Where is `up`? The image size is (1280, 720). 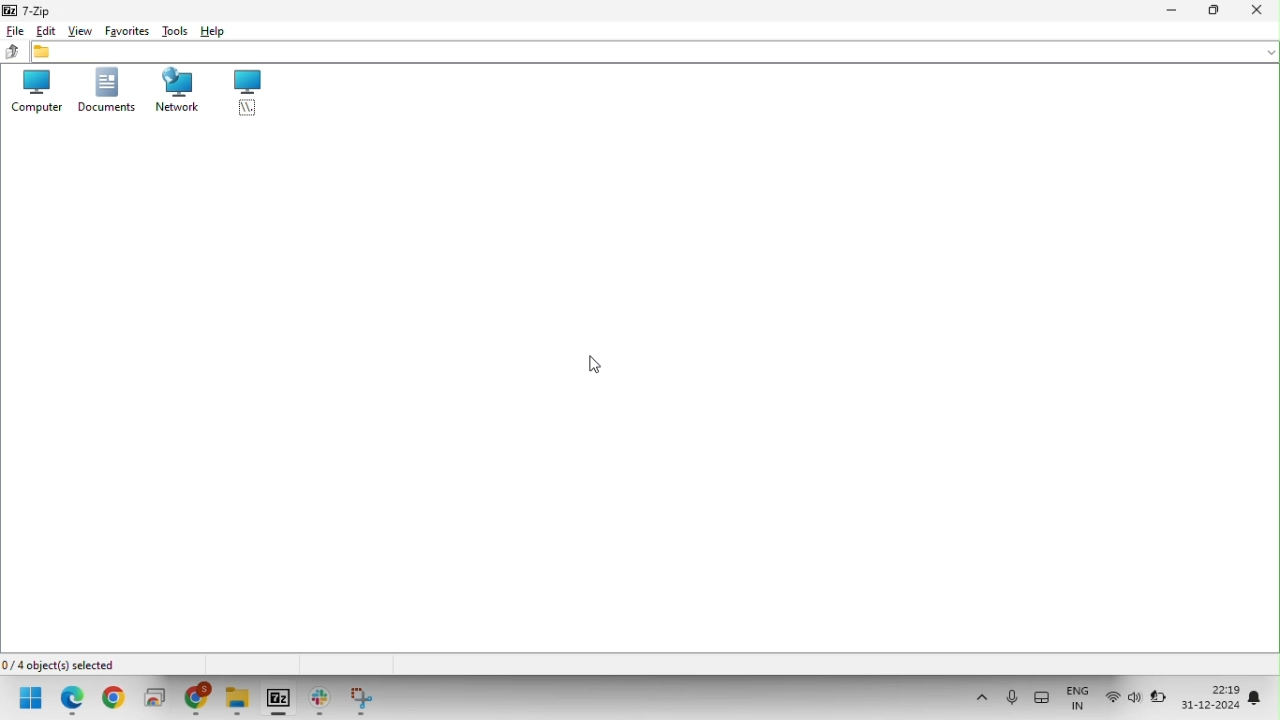
up is located at coordinates (9, 52).